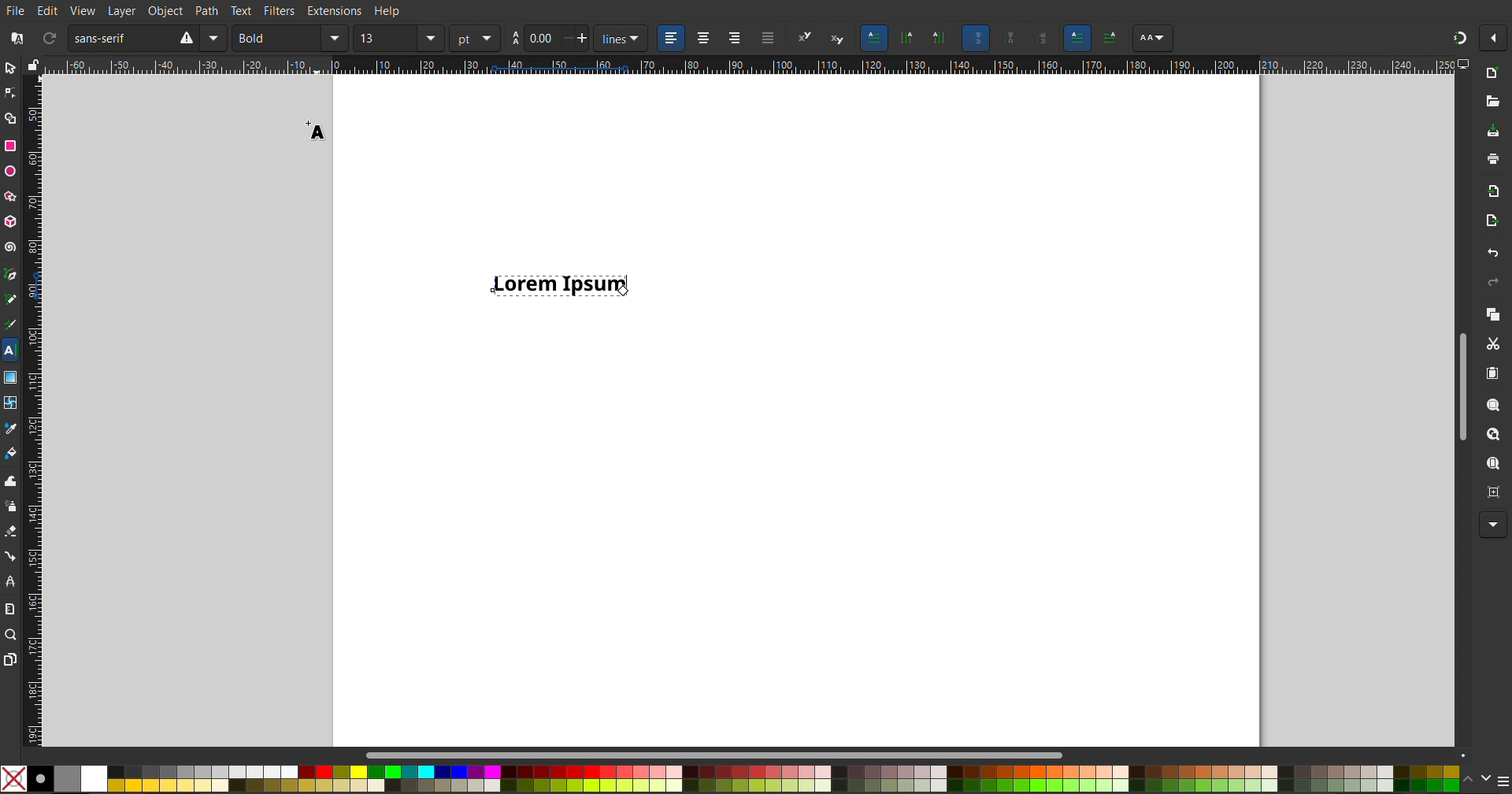 This screenshot has height=794, width=1512. Describe the element at coordinates (289, 39) in the screenshot. I see `Font Style` at that location.